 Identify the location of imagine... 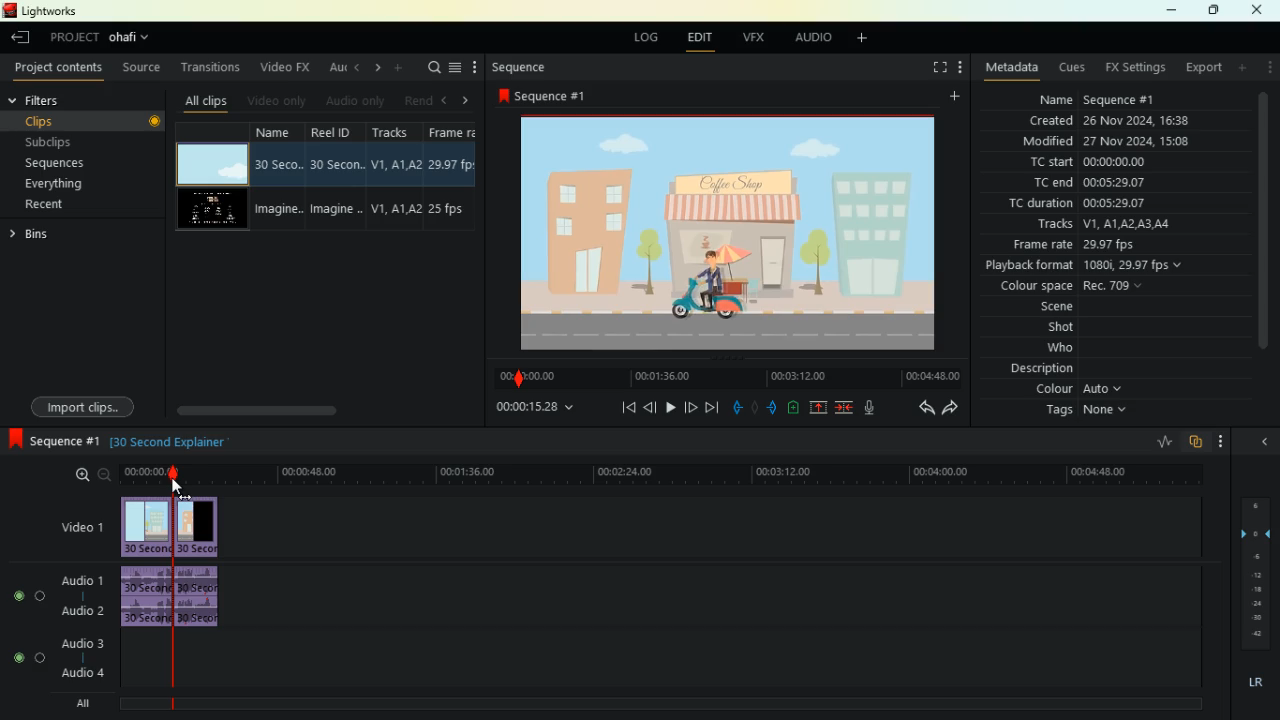
(336, 210).